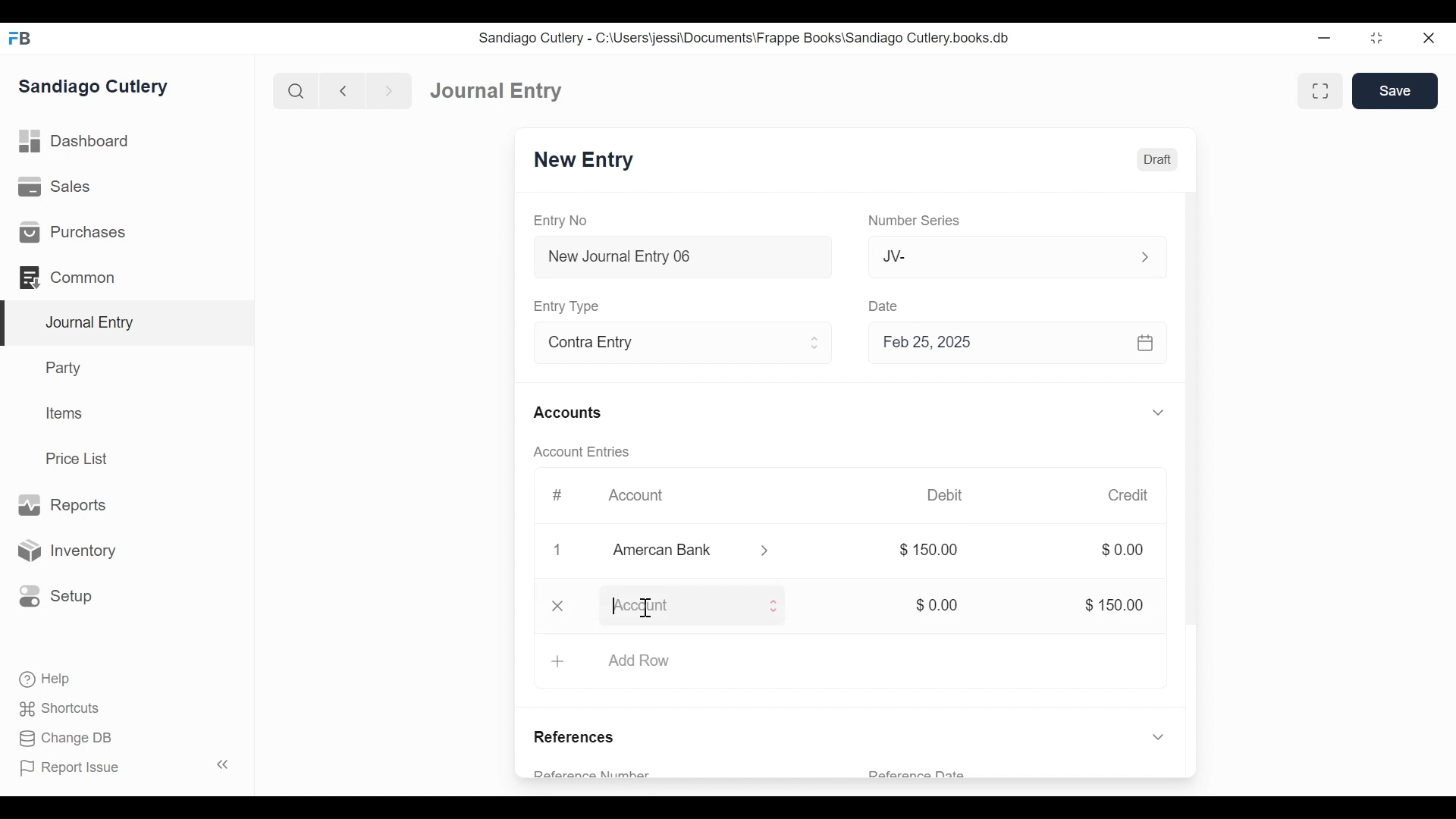 The height and width of the screenshot is (819, 1456). I want to click on Add Row, so click(639, 661).